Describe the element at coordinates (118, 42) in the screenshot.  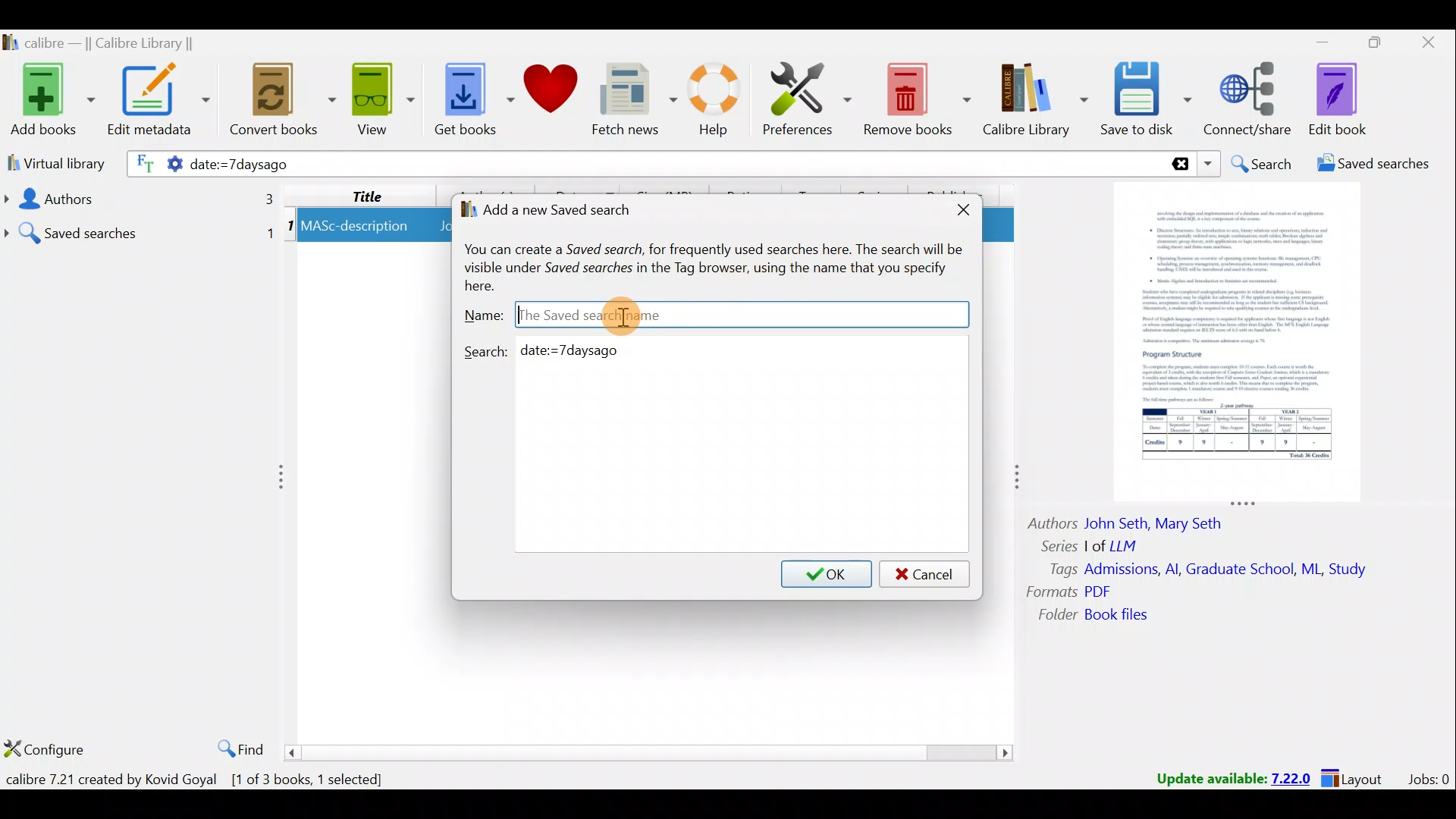
I see `calibre — || Calibre Library ||` at that location.